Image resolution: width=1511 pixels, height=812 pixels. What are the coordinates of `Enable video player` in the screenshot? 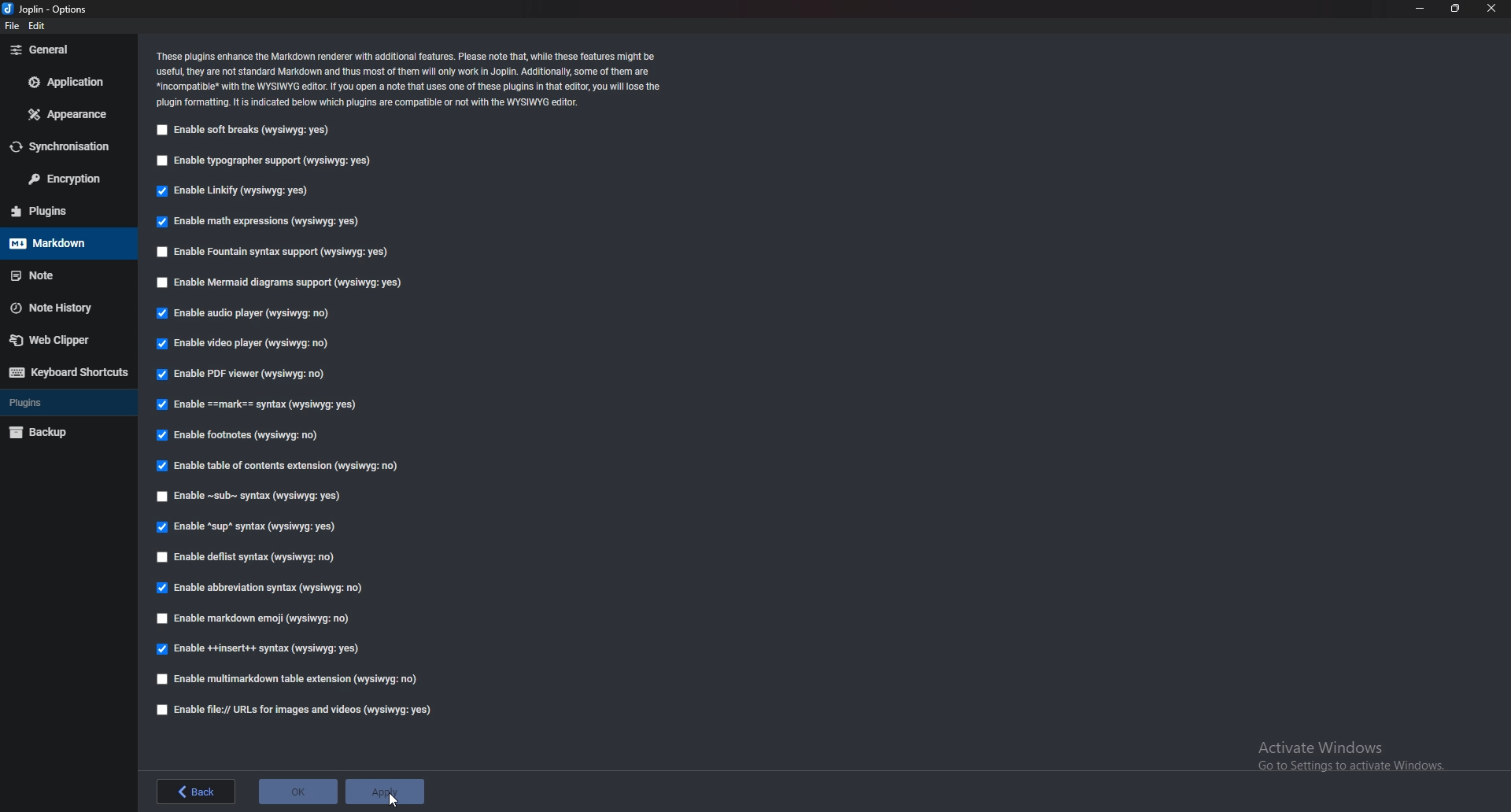 It's located at (243, 345).